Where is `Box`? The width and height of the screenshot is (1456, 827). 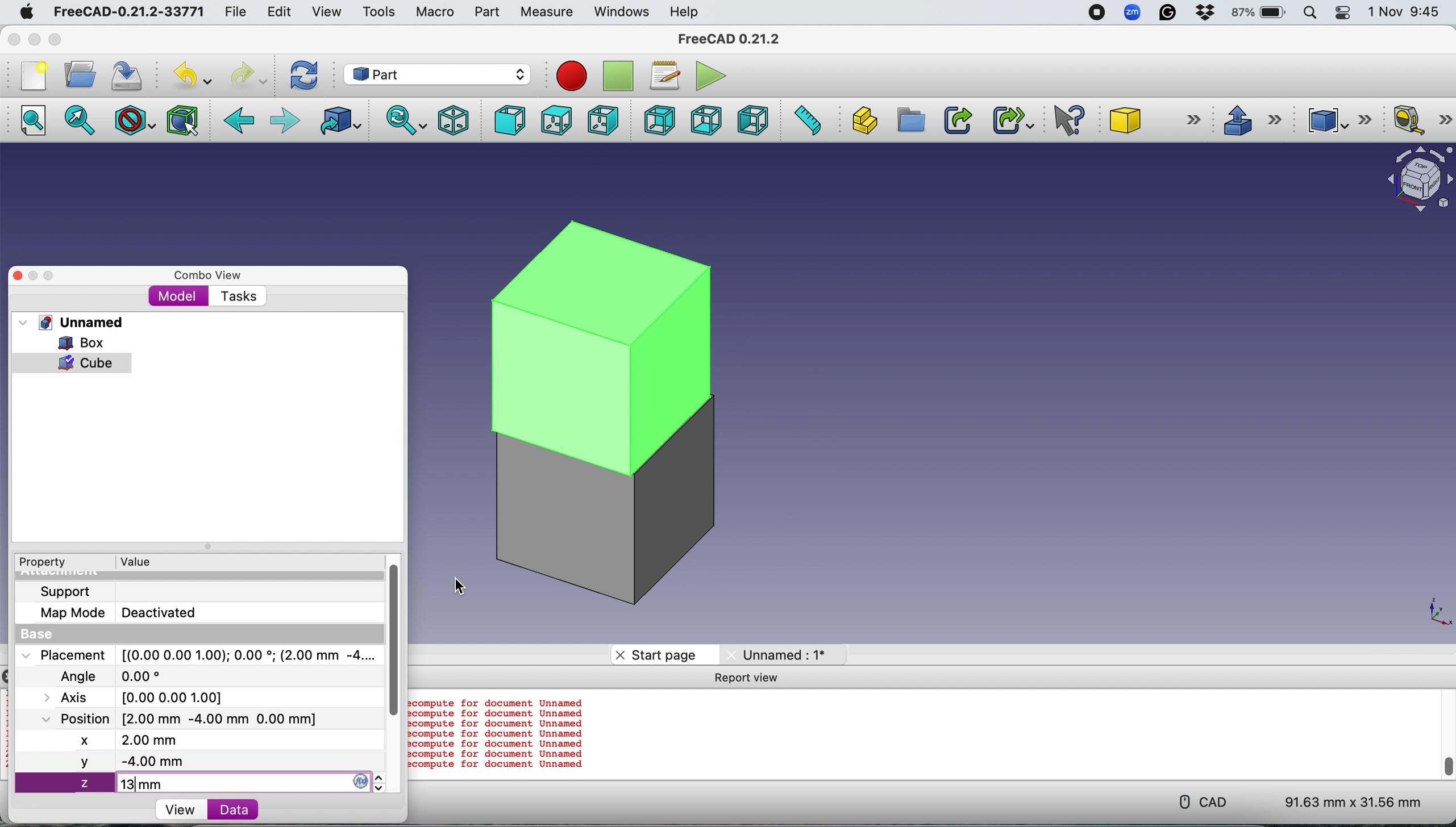
Box is located at coordinates (70, 343).